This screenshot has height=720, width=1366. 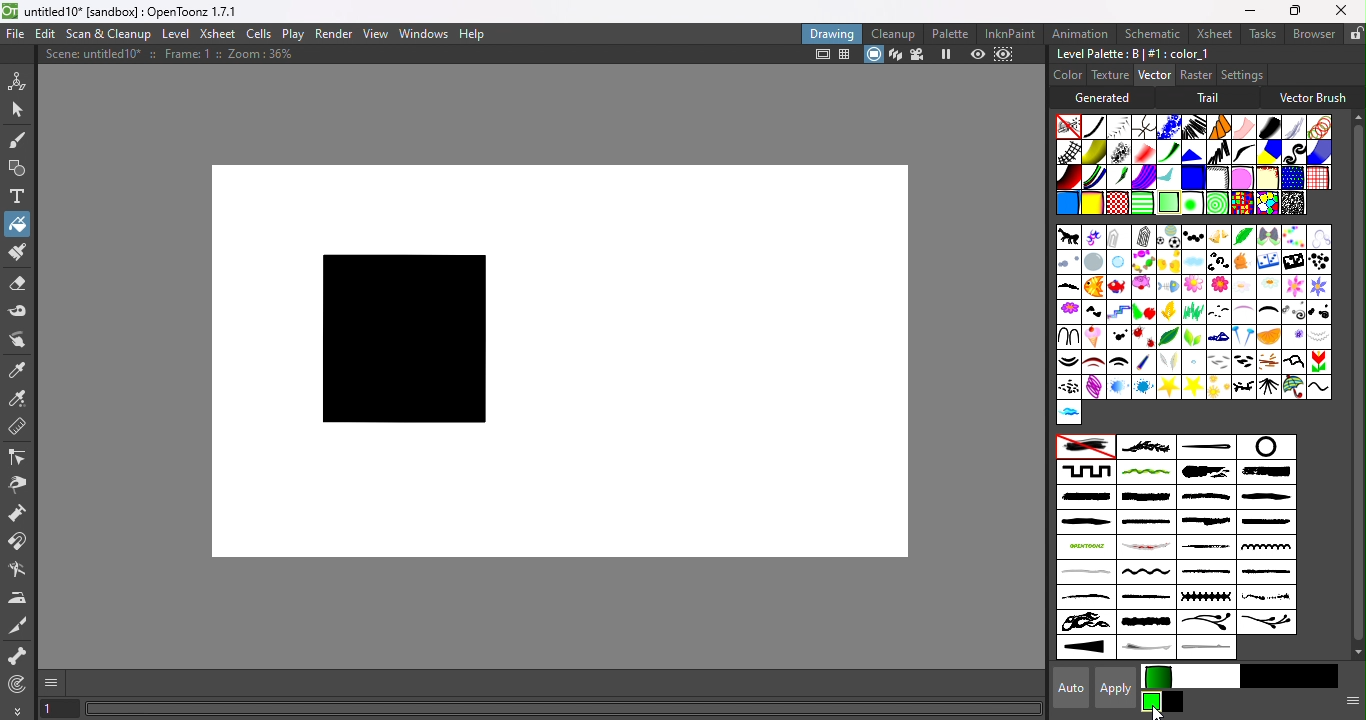 What do you see at coordinates (1084, 572) in the screenshot?
I see `simple_trail` at bounding box center [1084, 572].